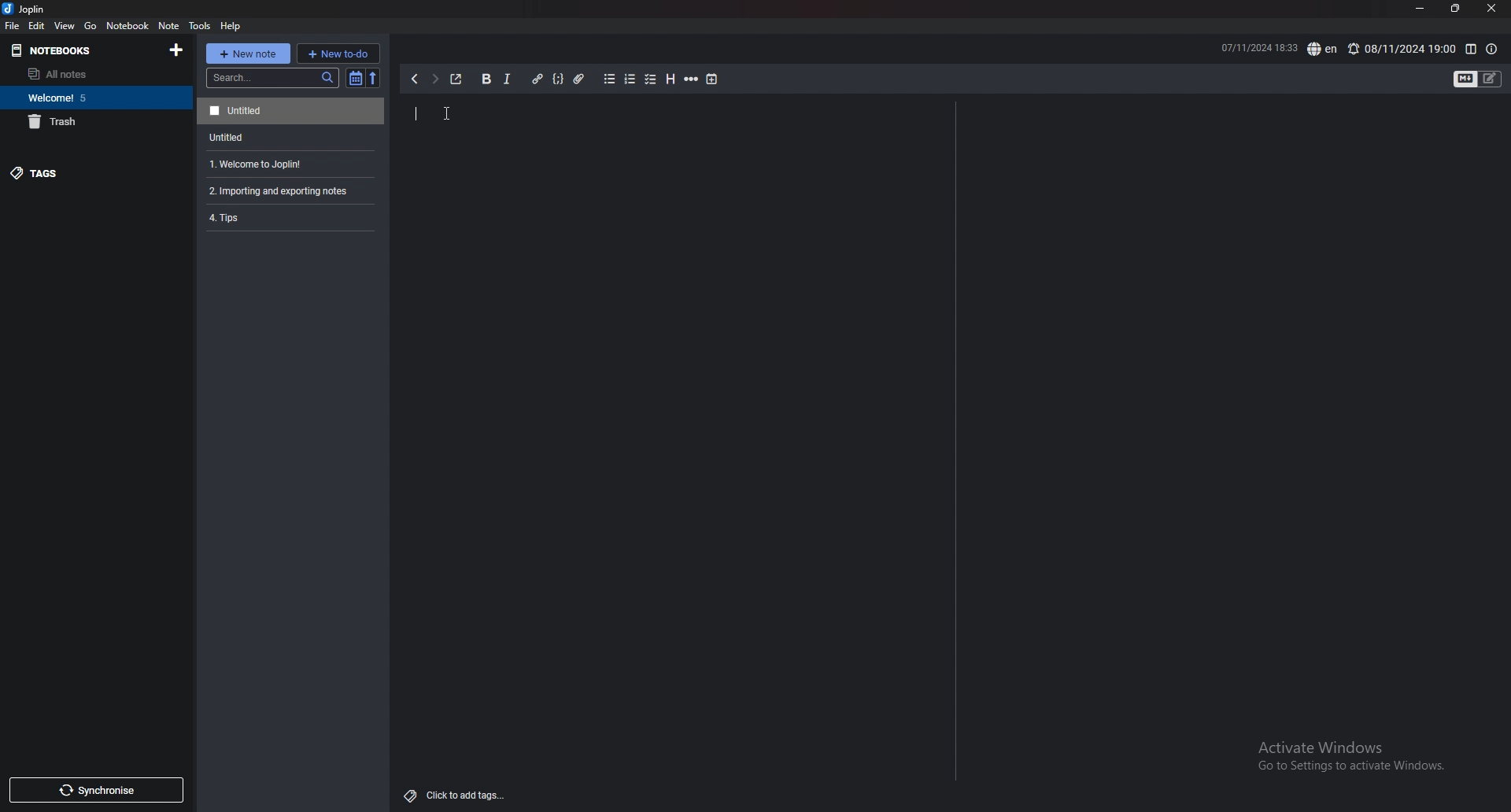 Image resolution: width=1511 pixels, height=812 pixels. What do you see at coordinates (1471, 50) in the screenshot?
I see `toggle editor layout` at bounding box center [1471, 50].